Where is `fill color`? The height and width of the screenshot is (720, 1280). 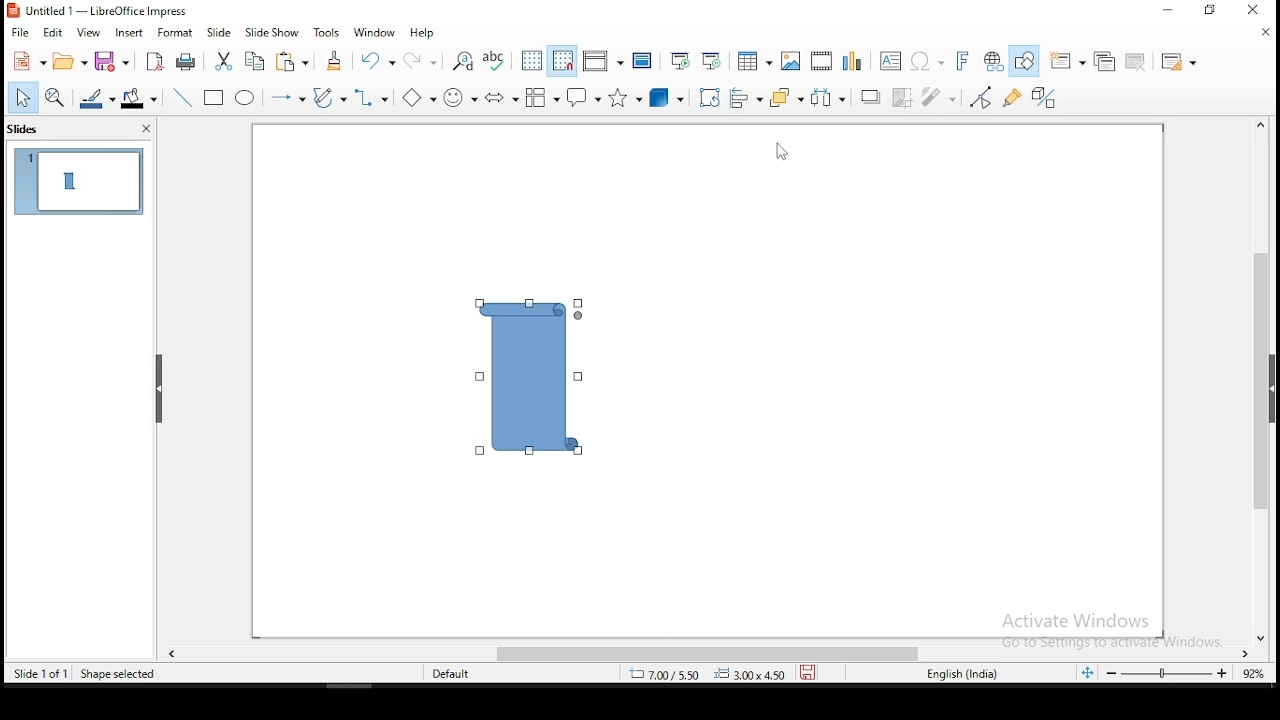 fill color is located at coordinates (138, 98).